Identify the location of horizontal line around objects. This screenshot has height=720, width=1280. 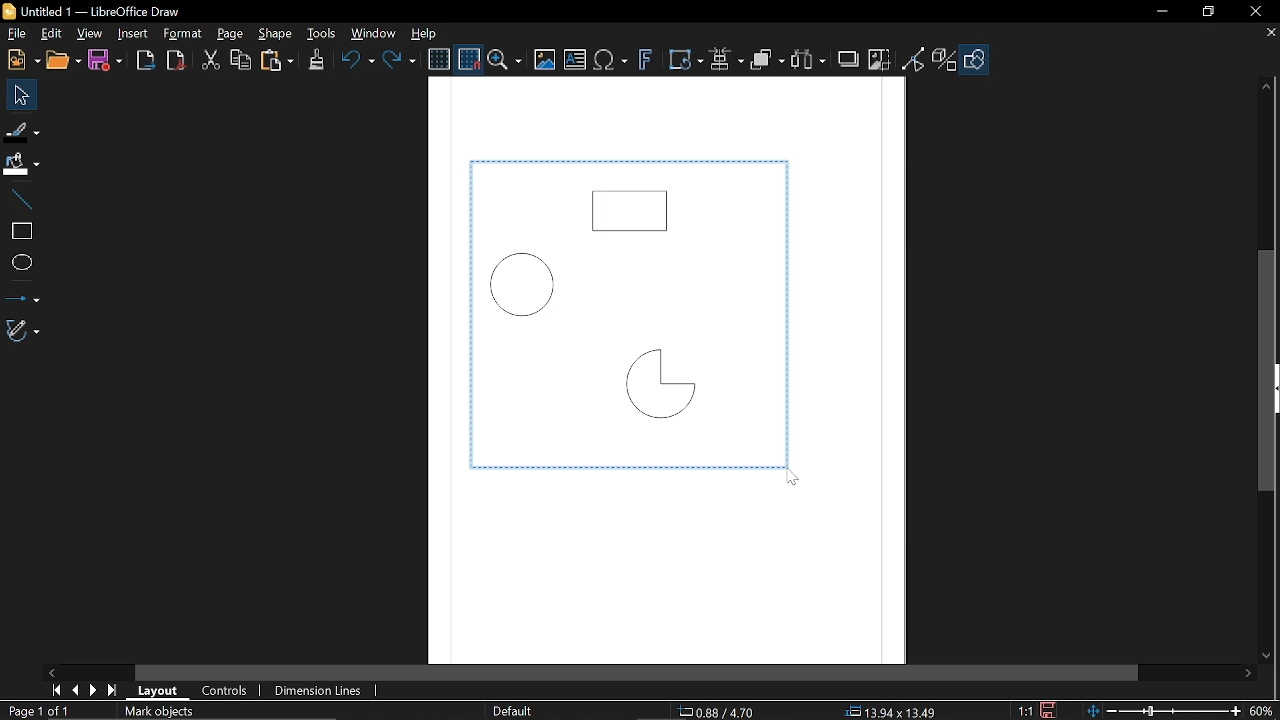
(630, 159).